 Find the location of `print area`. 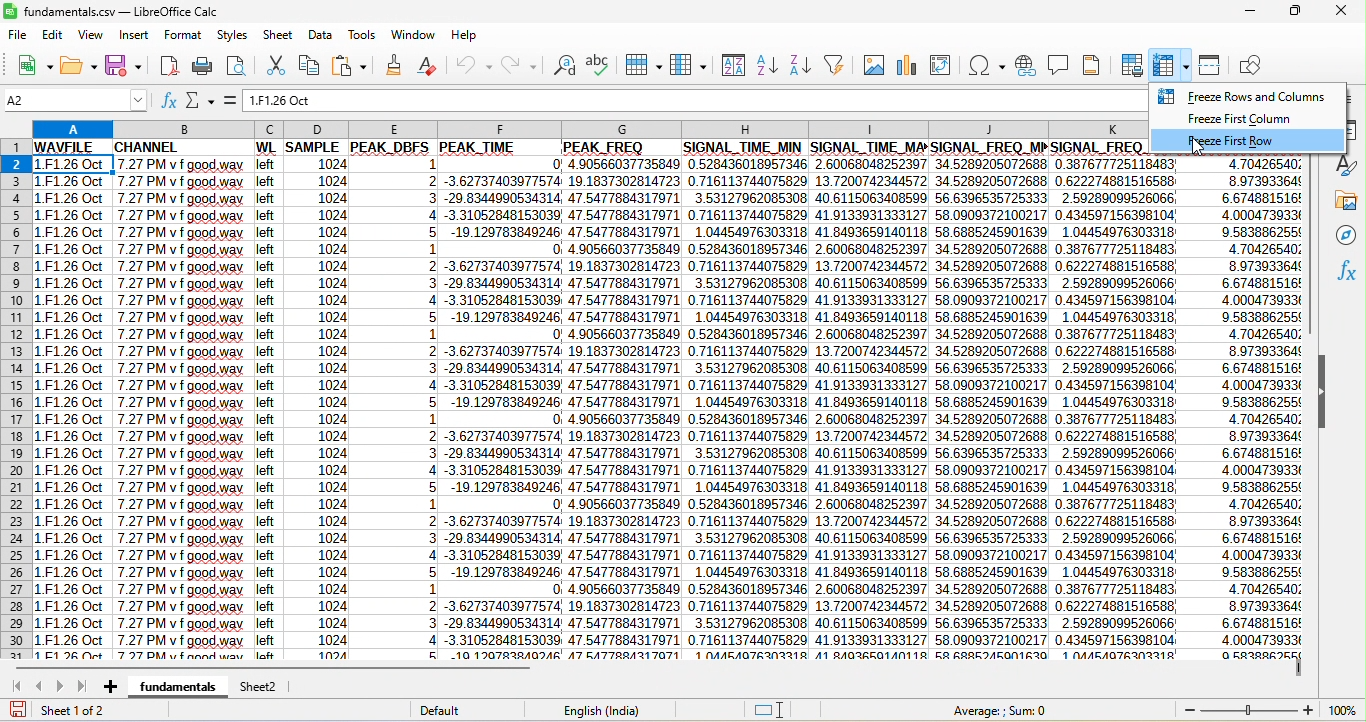

print area is located at coordinates (1131, 66).